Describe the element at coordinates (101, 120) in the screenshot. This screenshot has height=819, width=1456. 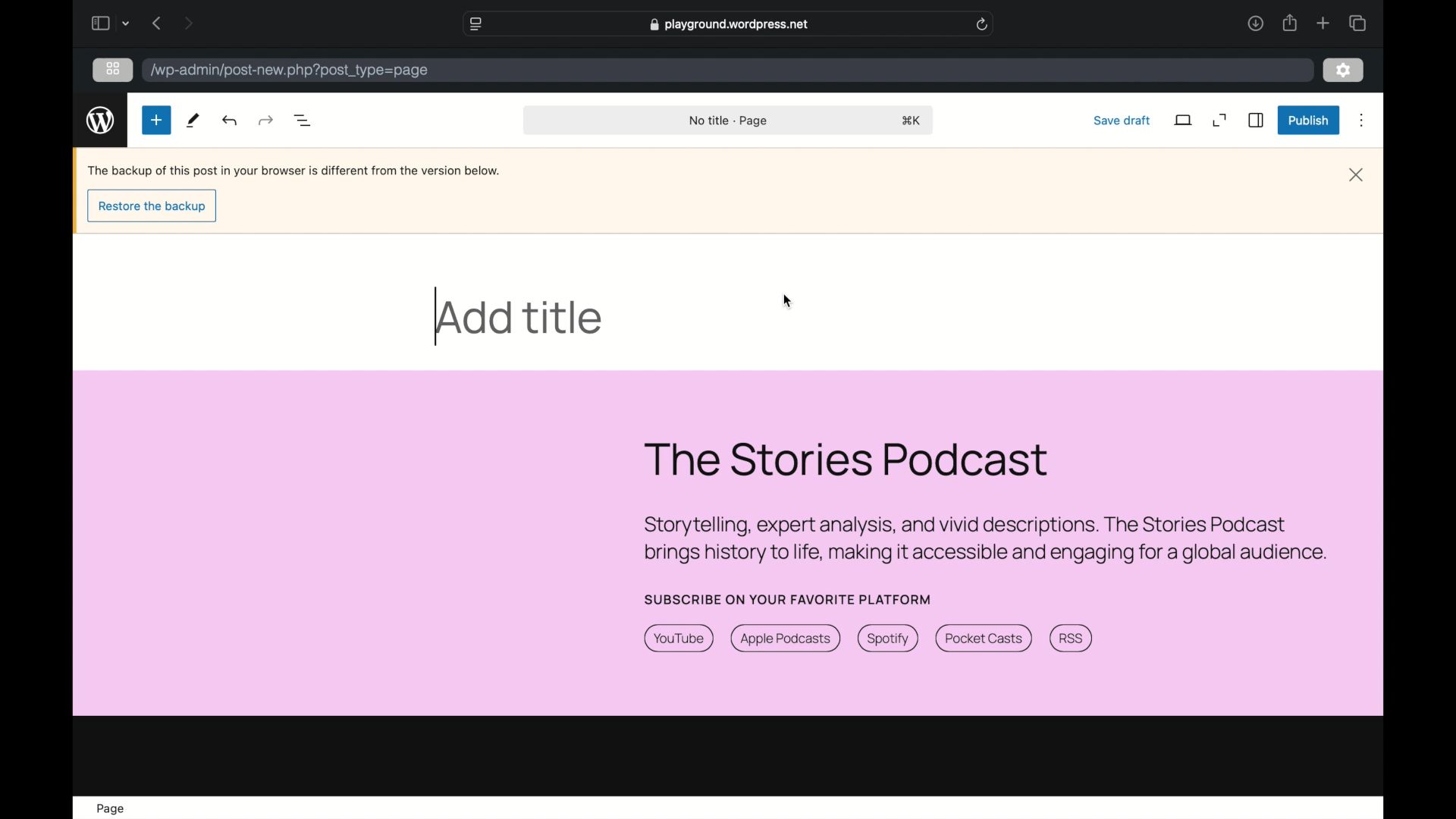
I see `wordpress` at that location.